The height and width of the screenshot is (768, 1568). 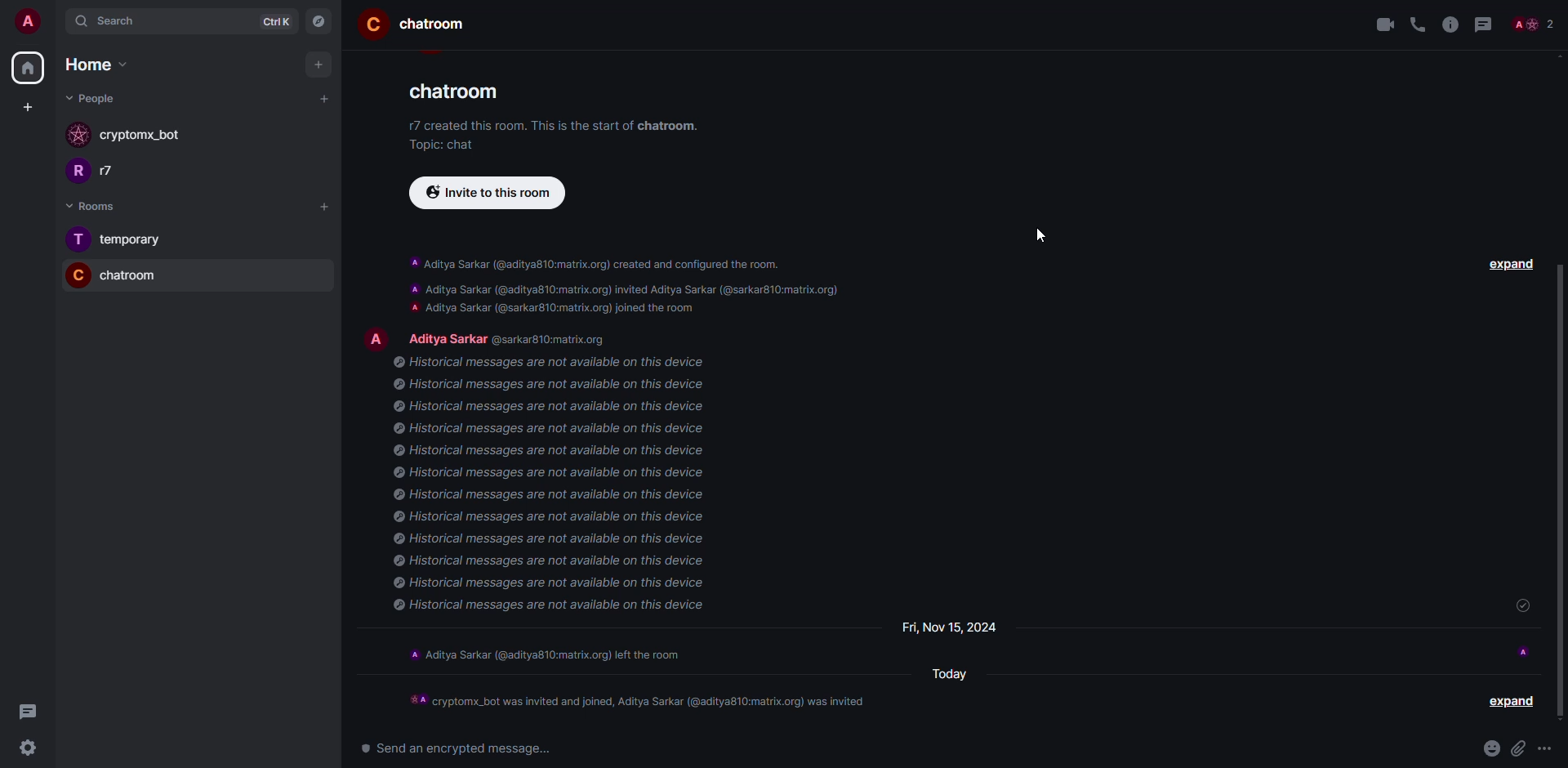 What do you see at coordinates (555, 488) in the screenshot?
I see `info` at bounding box center [555, 488].